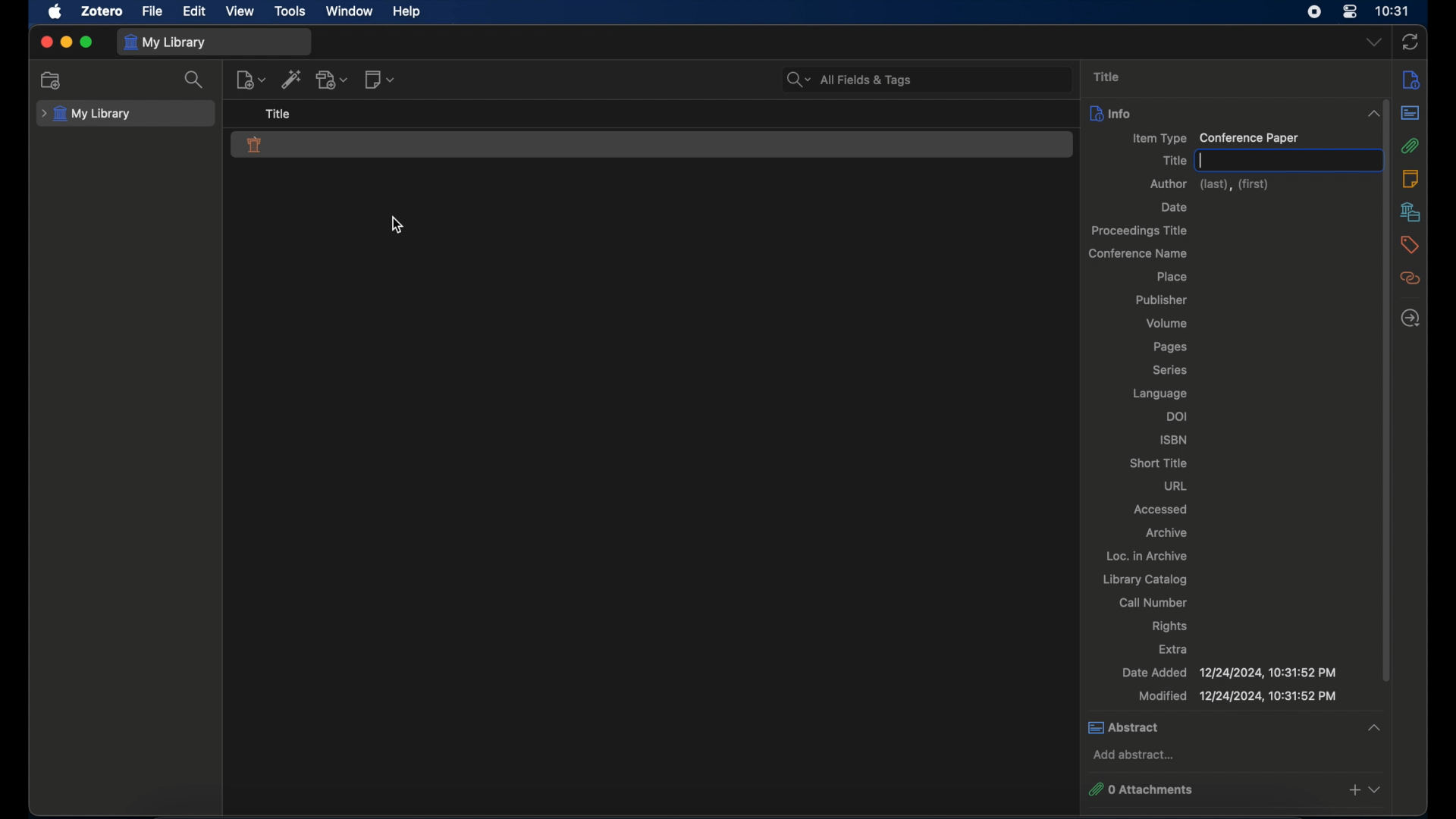 The height and width of the screenshot is (819, 1456). I want to click on tags, so click(1409, 245).